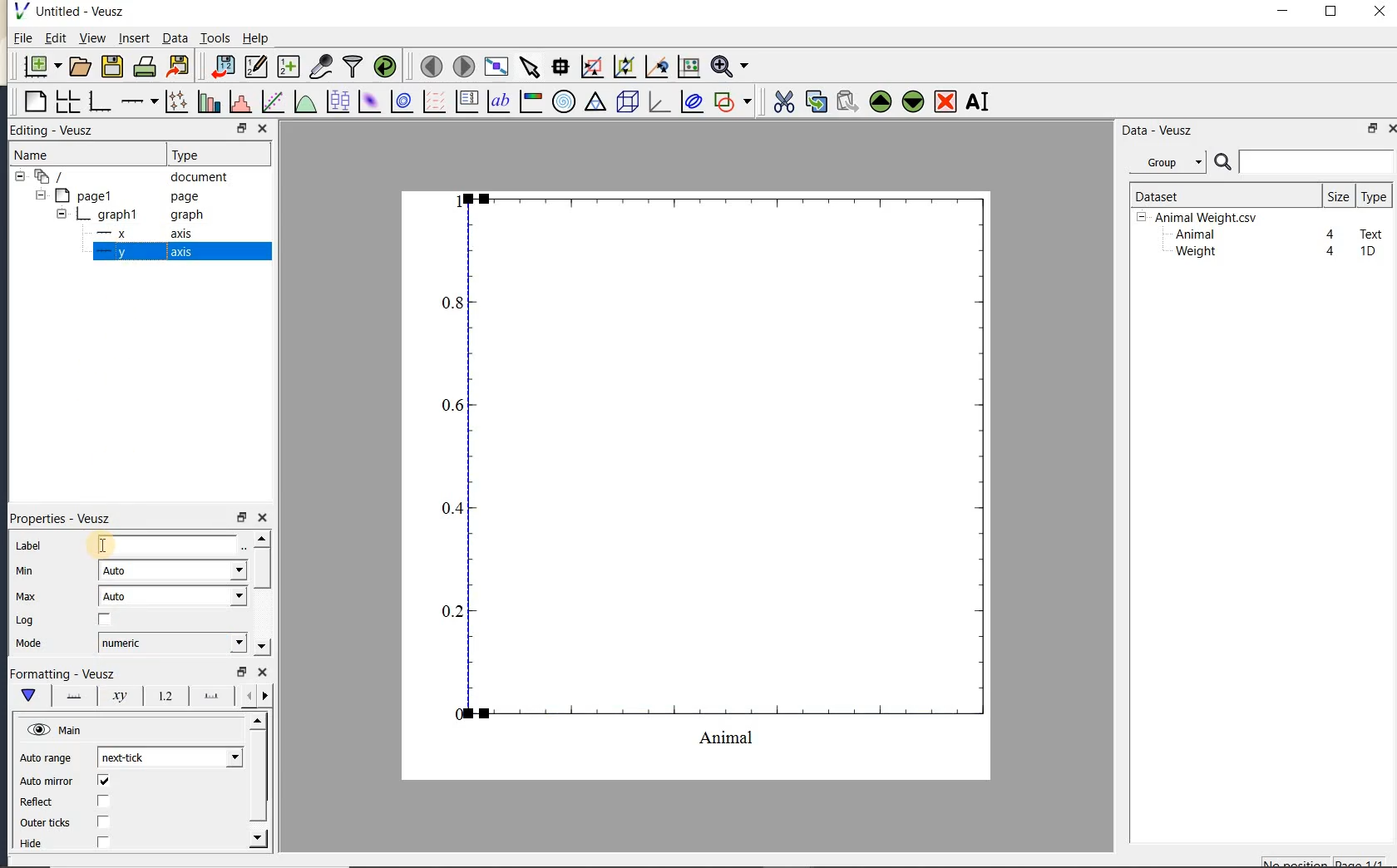  What do you see at coordinates (98, 545) in the screenshot?
I see `cursor` at bounding box center [98, 545].